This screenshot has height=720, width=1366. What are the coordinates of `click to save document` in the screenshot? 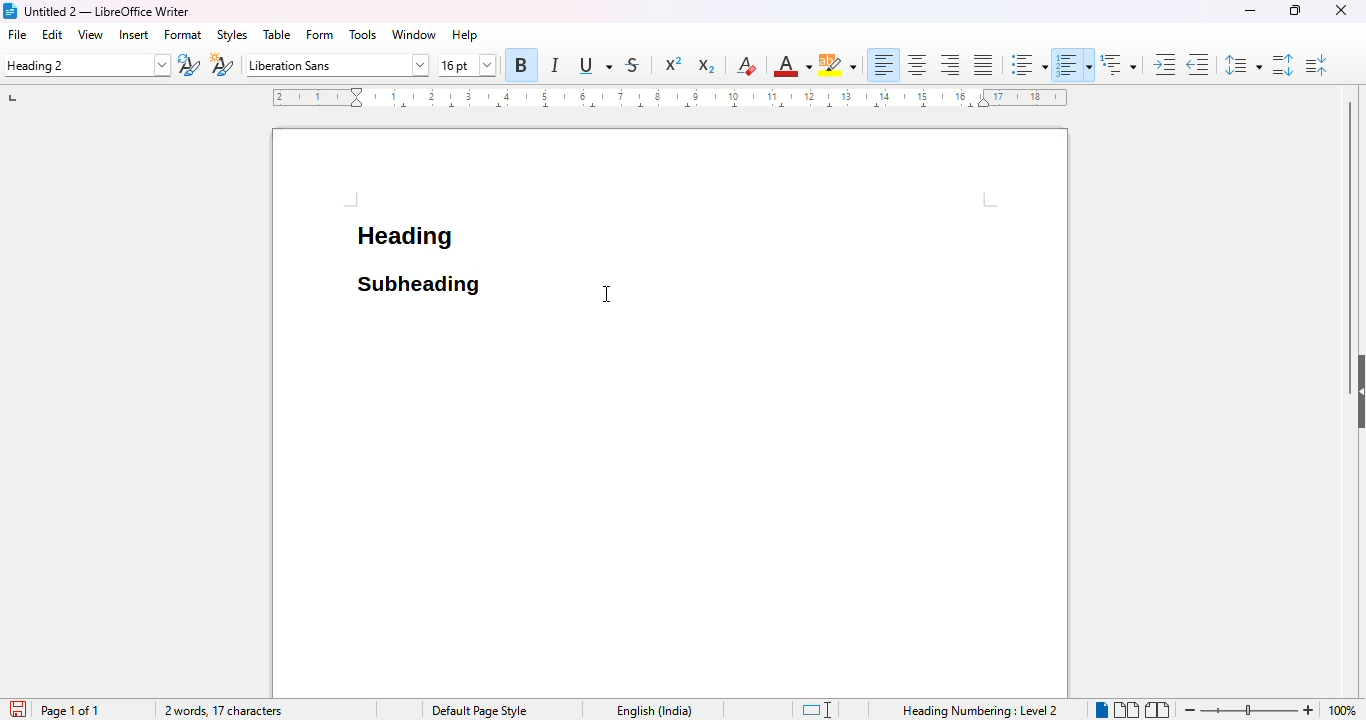 It's located at (21, 711).